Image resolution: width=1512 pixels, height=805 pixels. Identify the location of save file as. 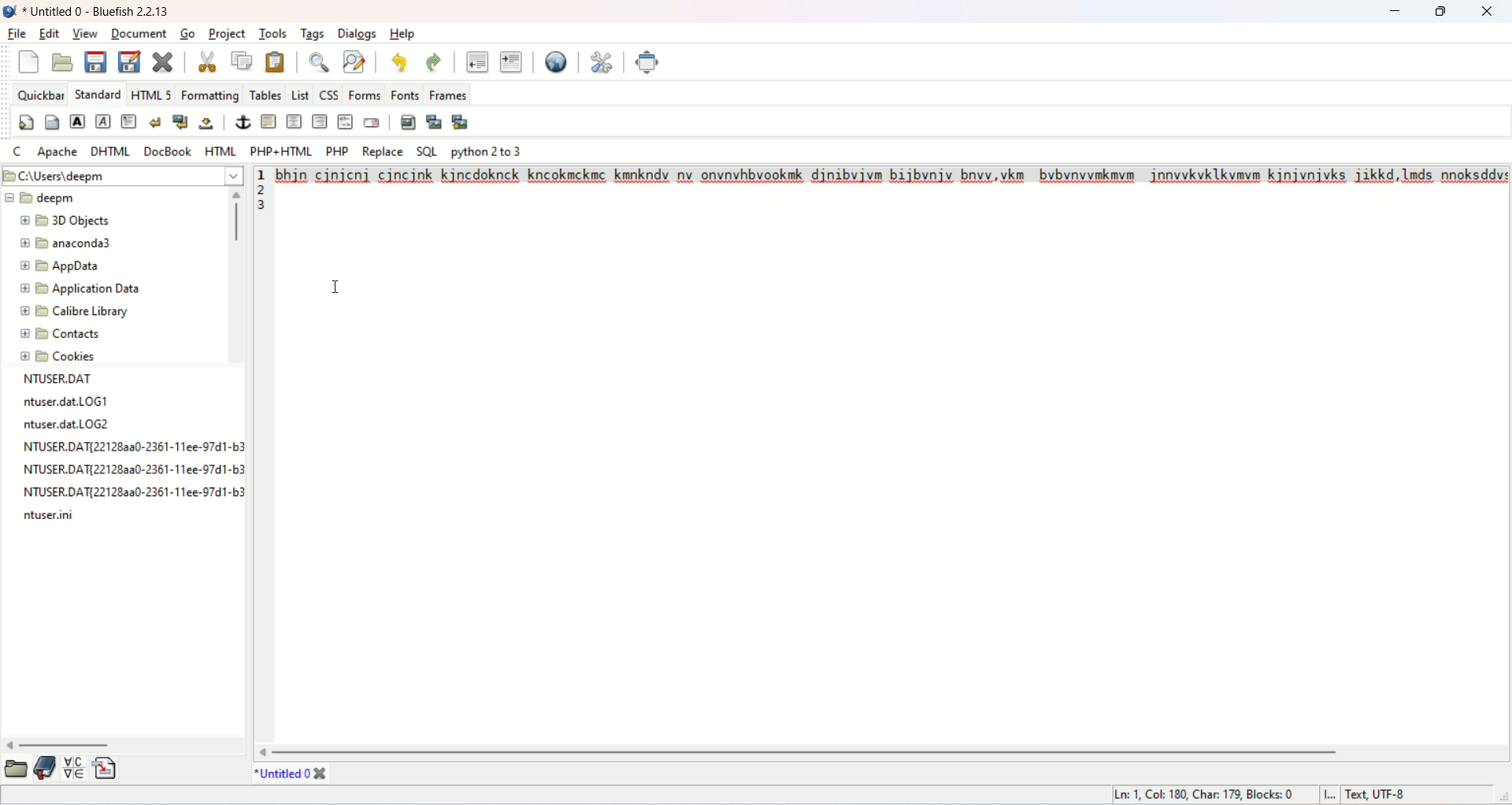
(129, 63).